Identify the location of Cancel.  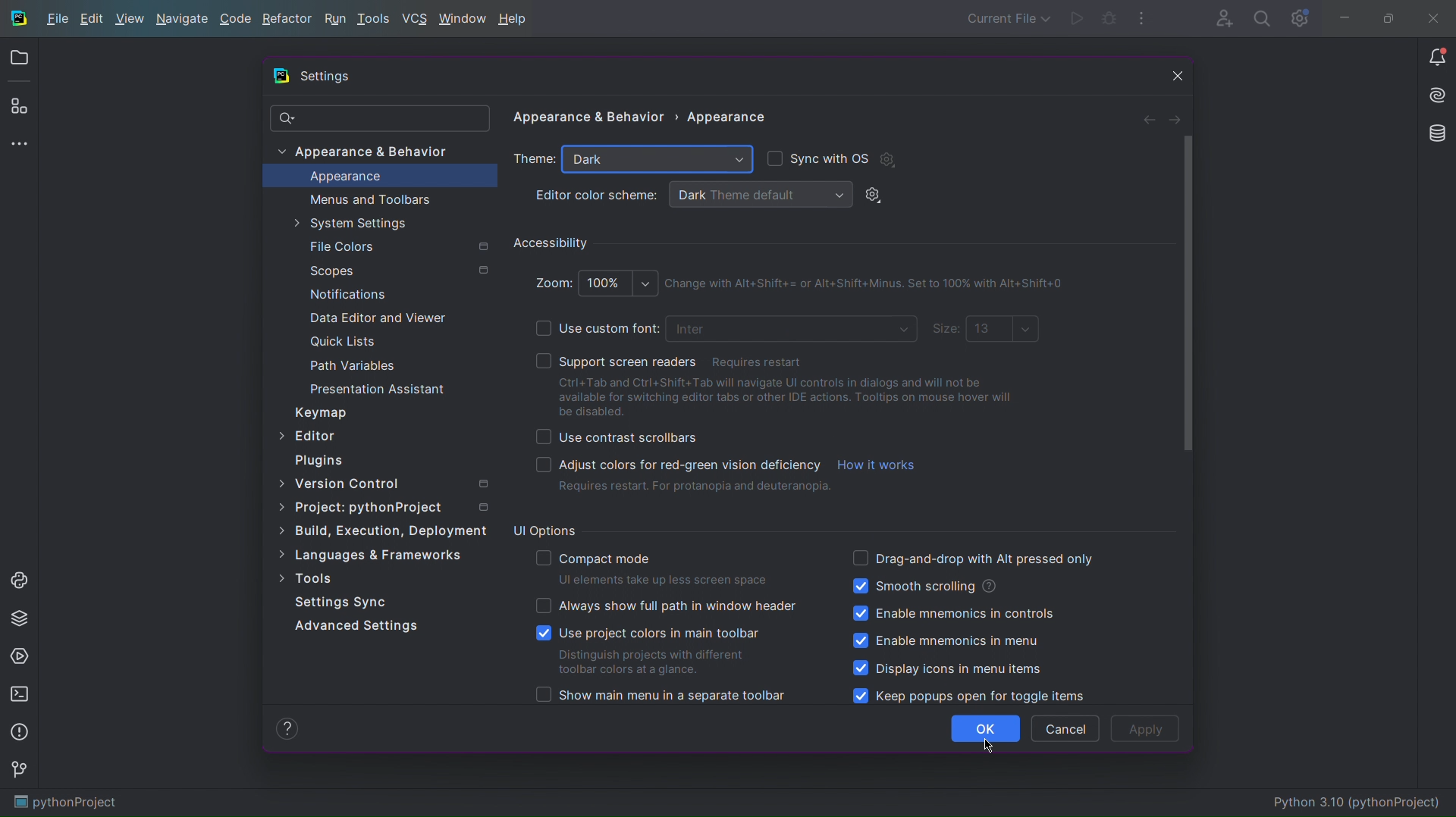
(1065, 728).